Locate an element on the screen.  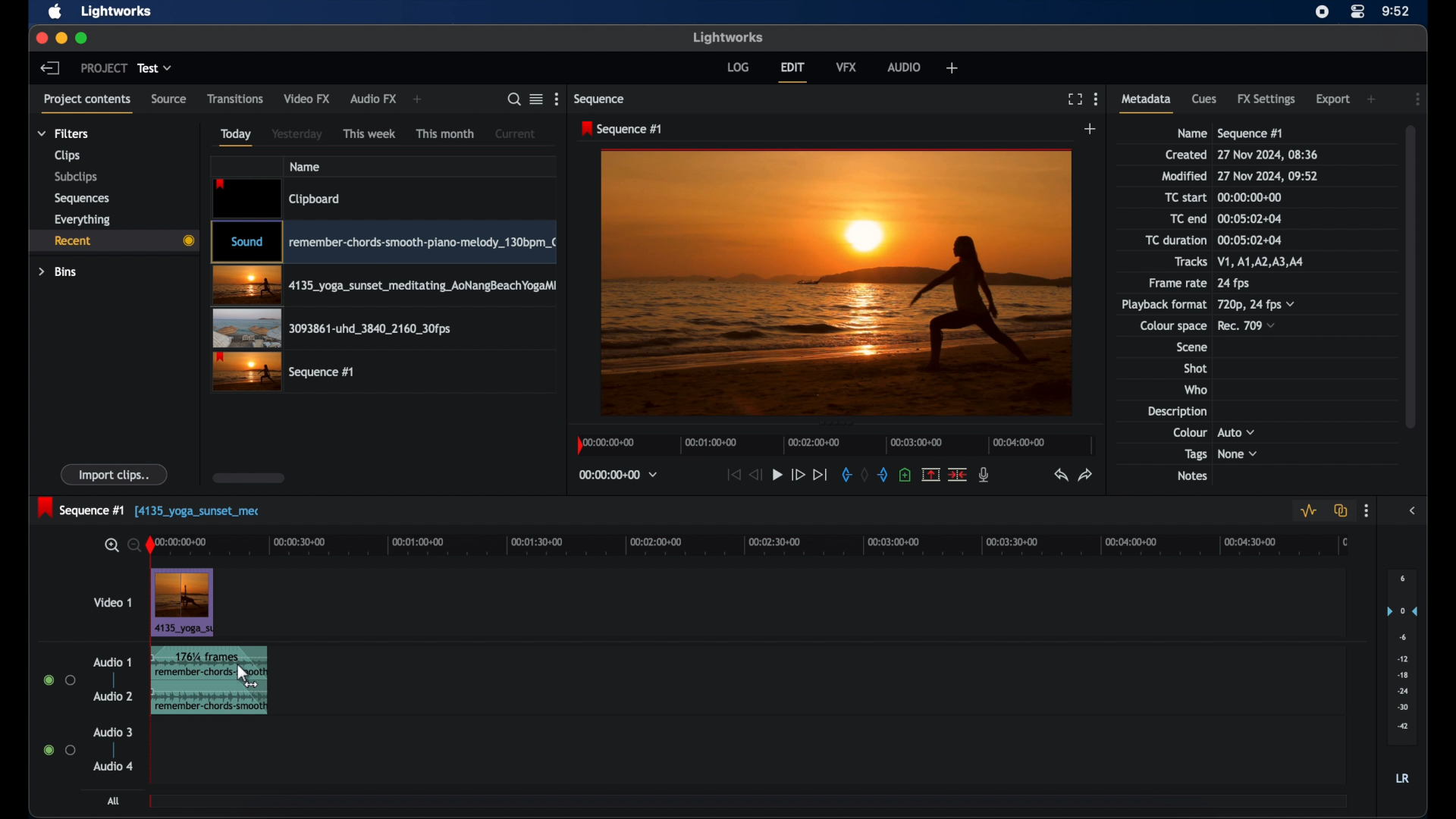
tc duration is located at coordinates (1175, 240).